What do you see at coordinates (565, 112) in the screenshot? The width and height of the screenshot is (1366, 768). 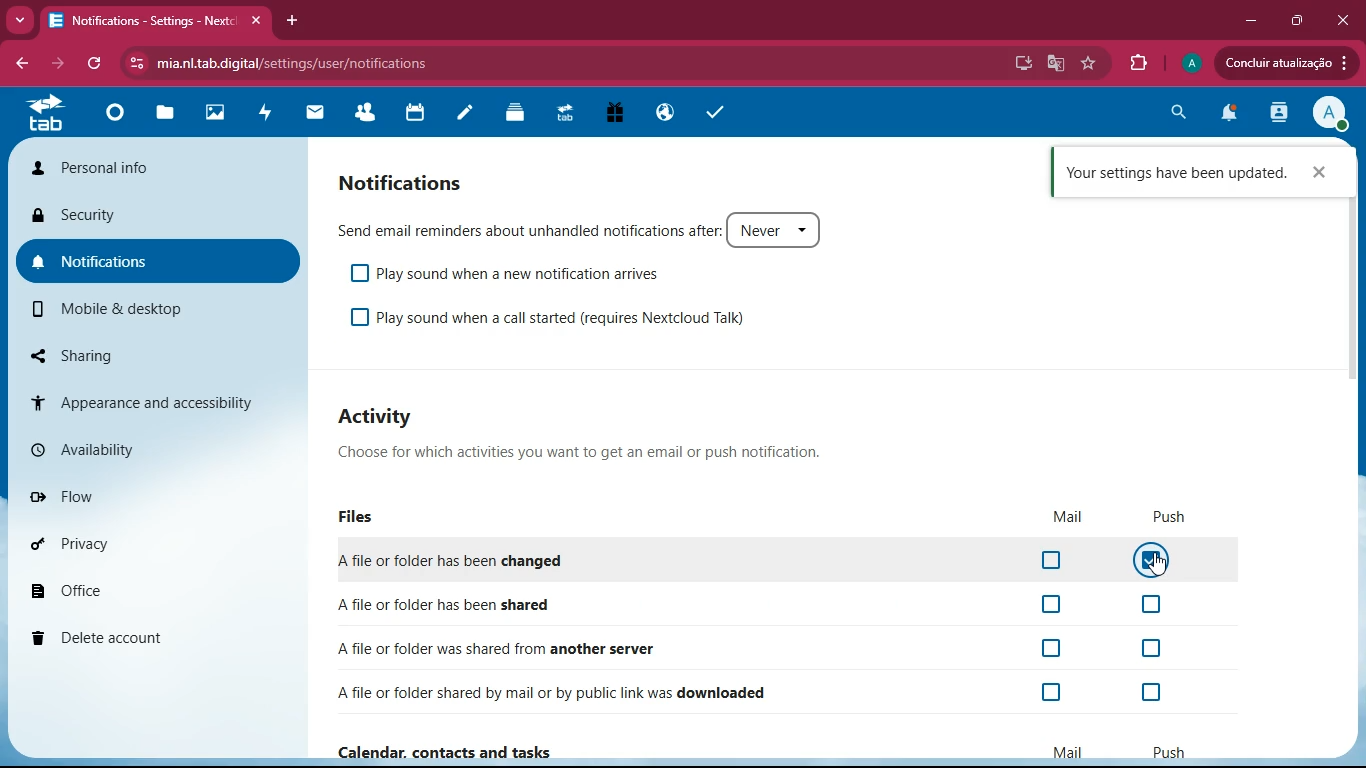 I see `tab` at bounding box center [565, 112].